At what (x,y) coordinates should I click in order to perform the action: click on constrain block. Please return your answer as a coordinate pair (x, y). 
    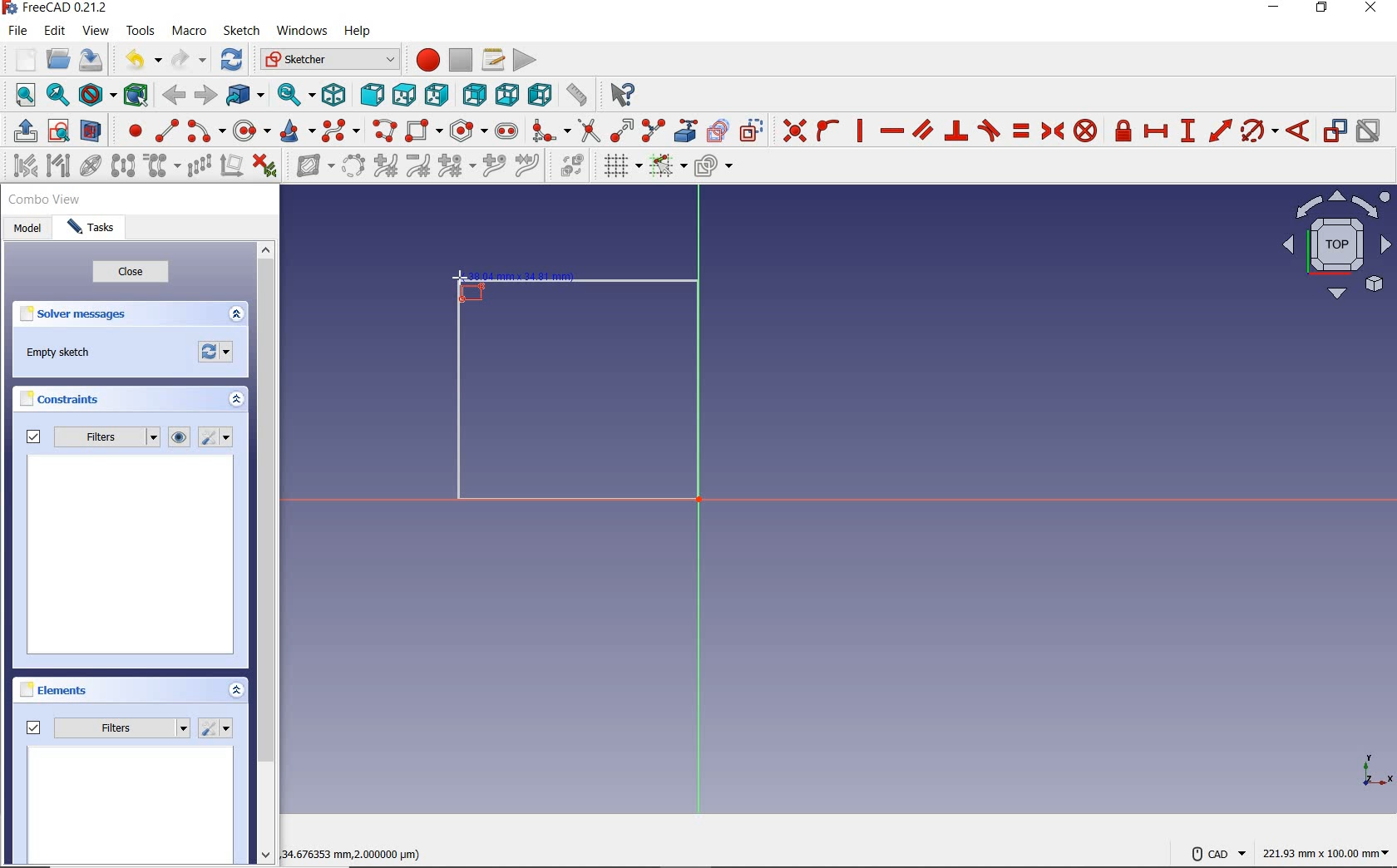
    Looking at the image, I should click on (1085, 131).